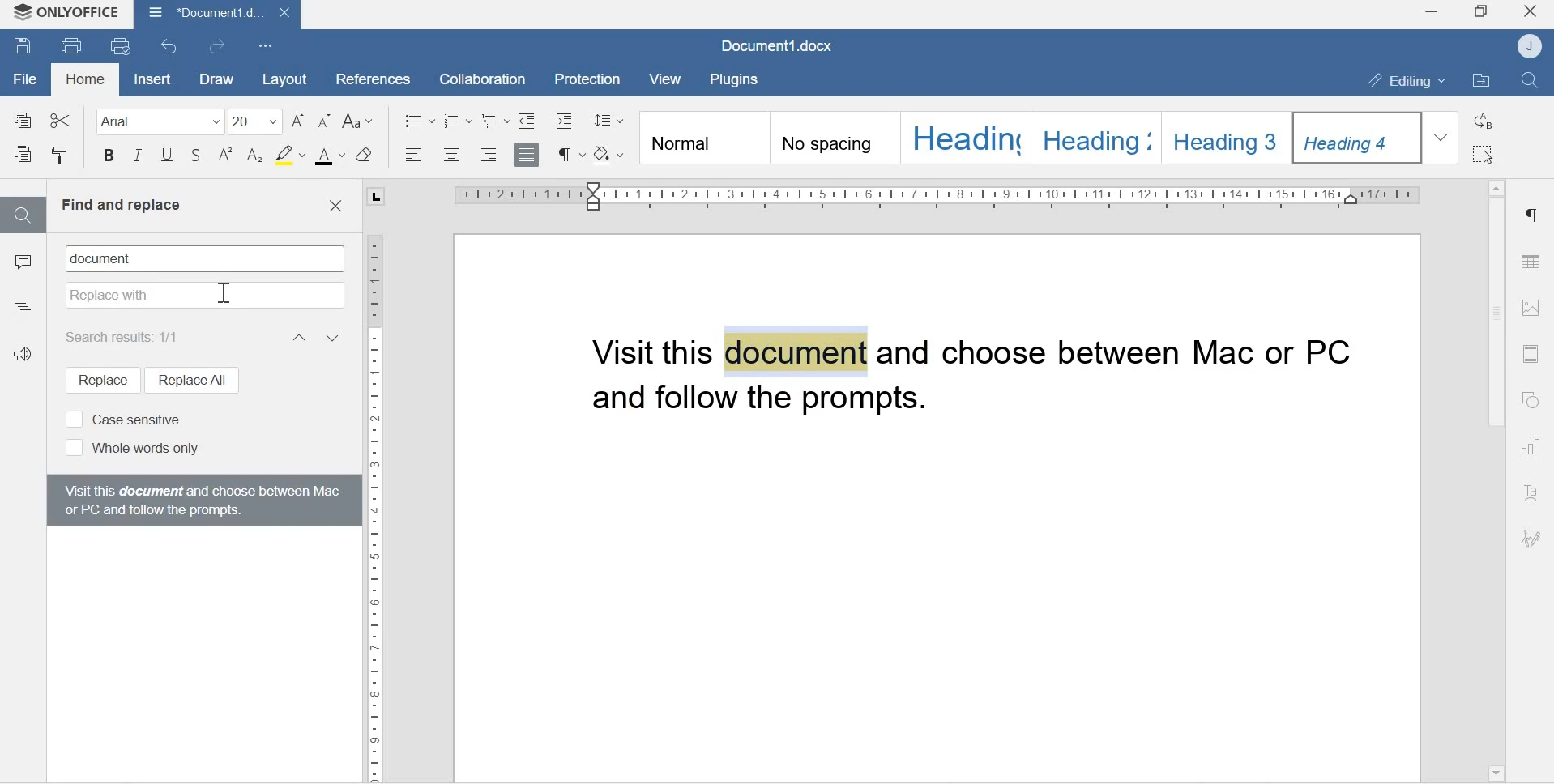 The height and width of the screenshot is (784, 1554). Describe the element at coordinates (214, 79) in the screenshot. I see `Draw` at that location.